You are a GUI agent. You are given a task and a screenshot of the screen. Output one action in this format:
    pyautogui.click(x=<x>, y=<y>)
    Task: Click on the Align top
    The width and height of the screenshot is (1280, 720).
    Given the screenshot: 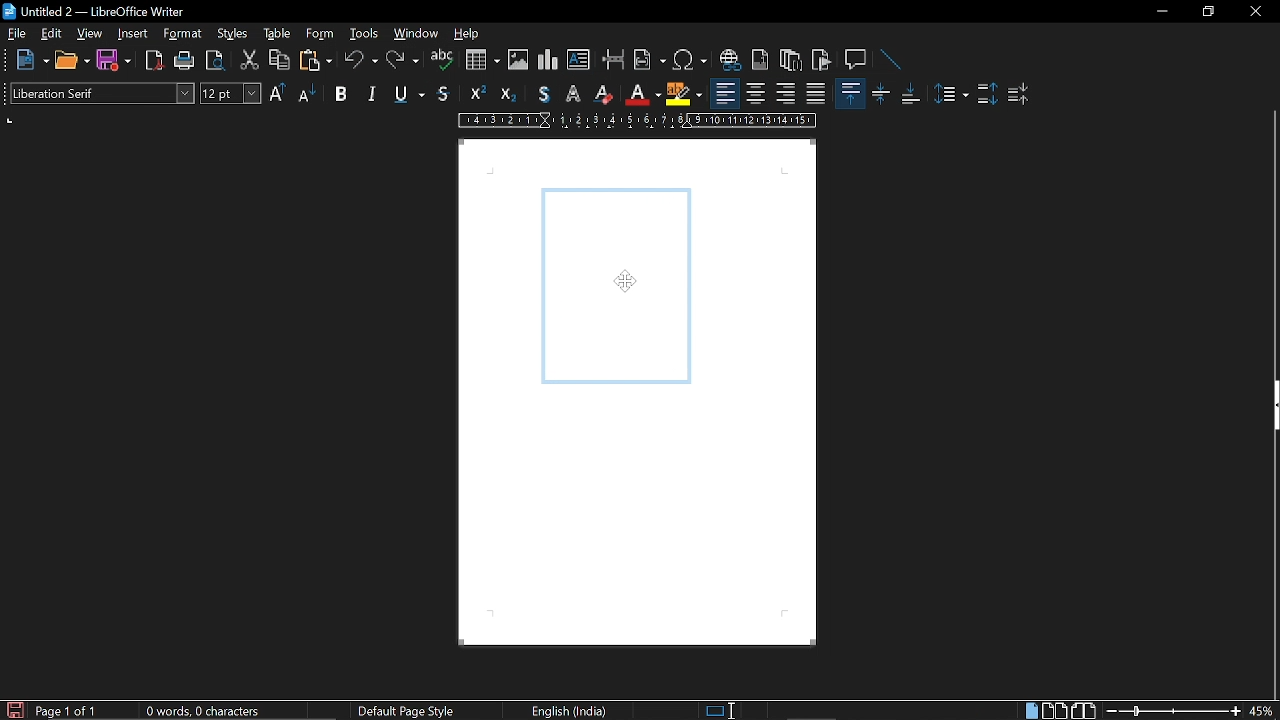 What is the action you would take?
    pyautogui.click(x=849, y=92)
    